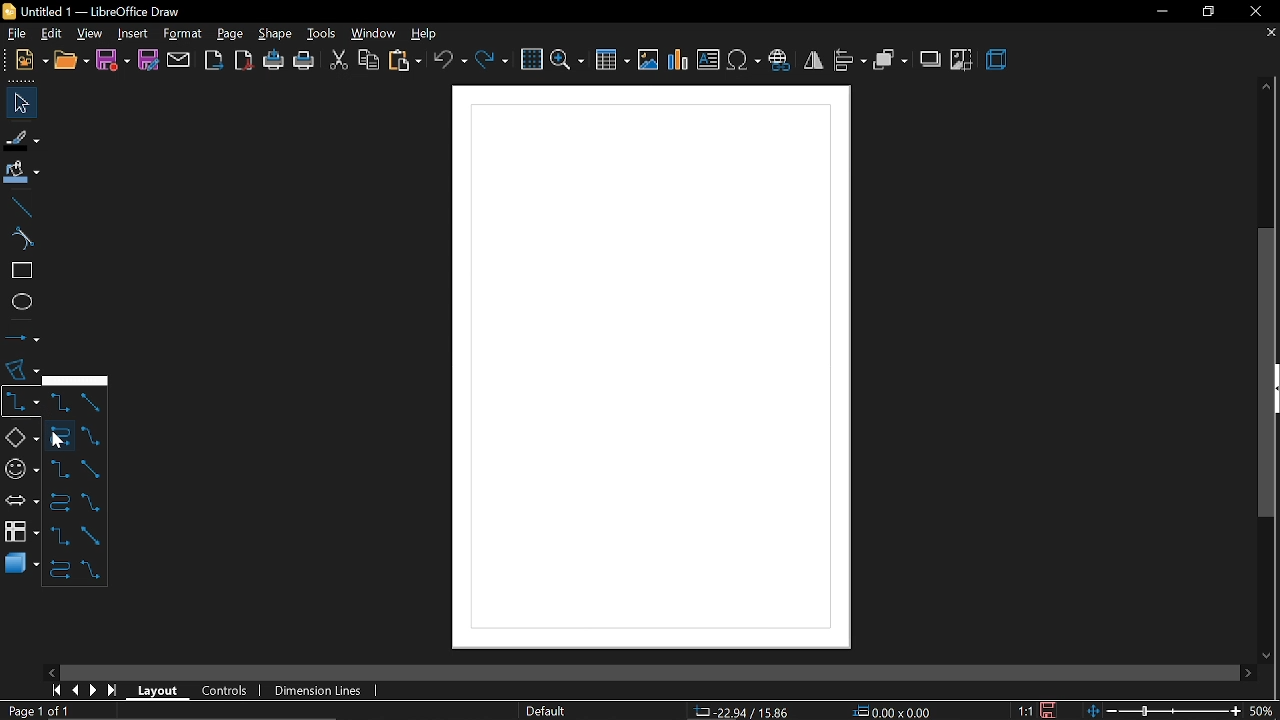 This screenshot has height=720, width=1280. What do you see at coordinates (91, 535) in the screenshot?
I see `Line connector with arrows` at bounding box center [91, 535].